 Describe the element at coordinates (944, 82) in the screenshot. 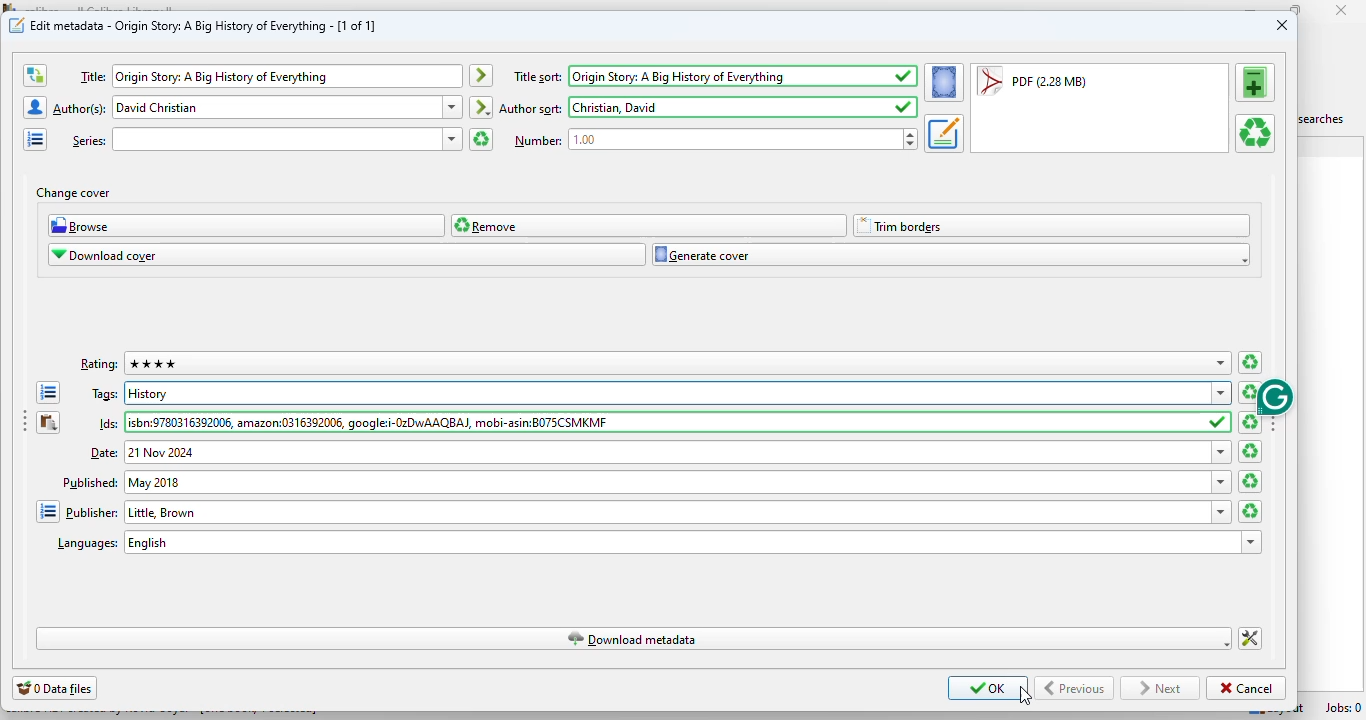

I see `set the cover for the book from the current format` at that location.